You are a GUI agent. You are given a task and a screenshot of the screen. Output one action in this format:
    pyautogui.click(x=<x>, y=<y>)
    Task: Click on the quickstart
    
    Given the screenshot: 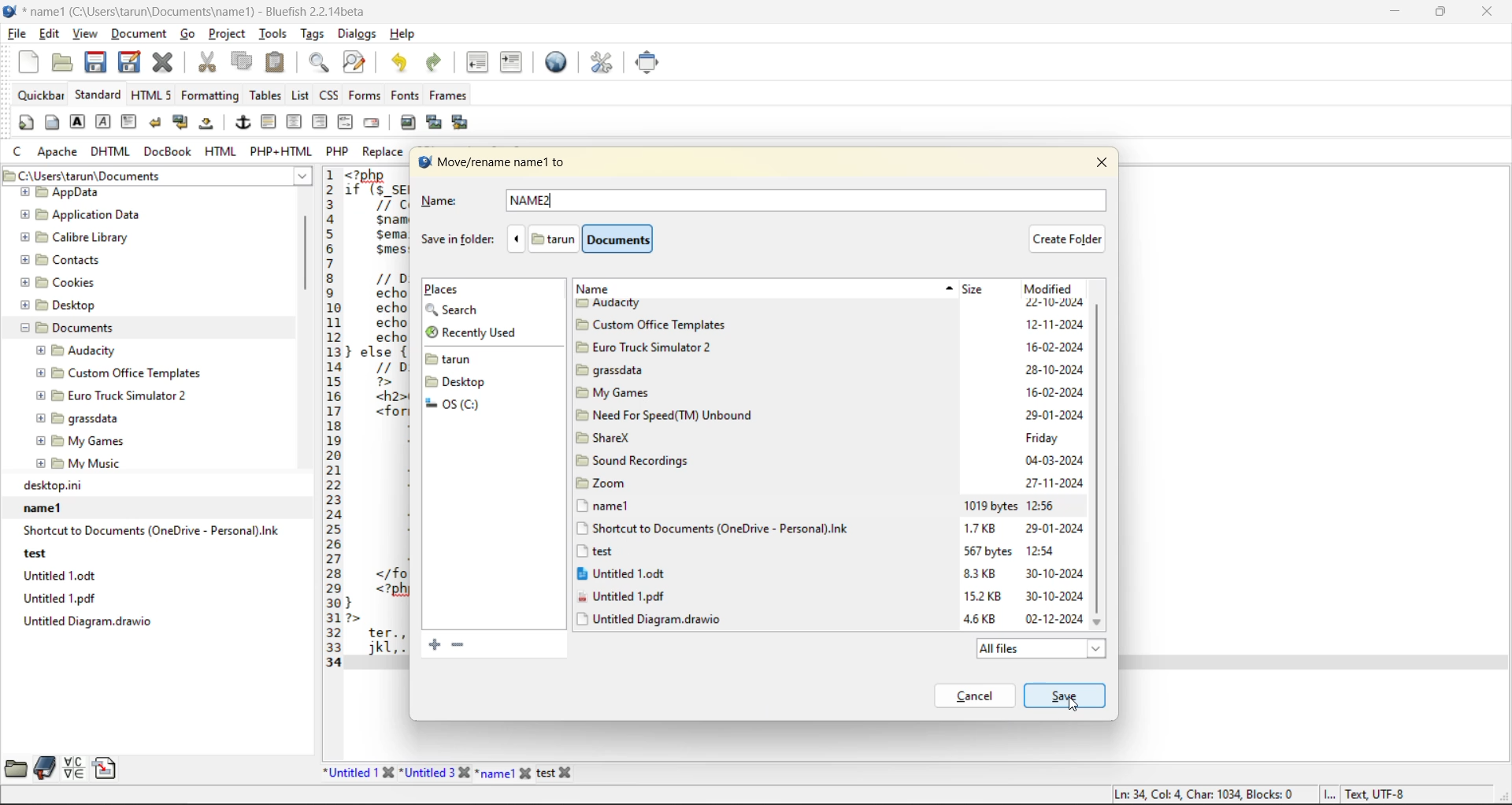 What is the action you would take?
    pyautogui.click(x=27, y=123)
    